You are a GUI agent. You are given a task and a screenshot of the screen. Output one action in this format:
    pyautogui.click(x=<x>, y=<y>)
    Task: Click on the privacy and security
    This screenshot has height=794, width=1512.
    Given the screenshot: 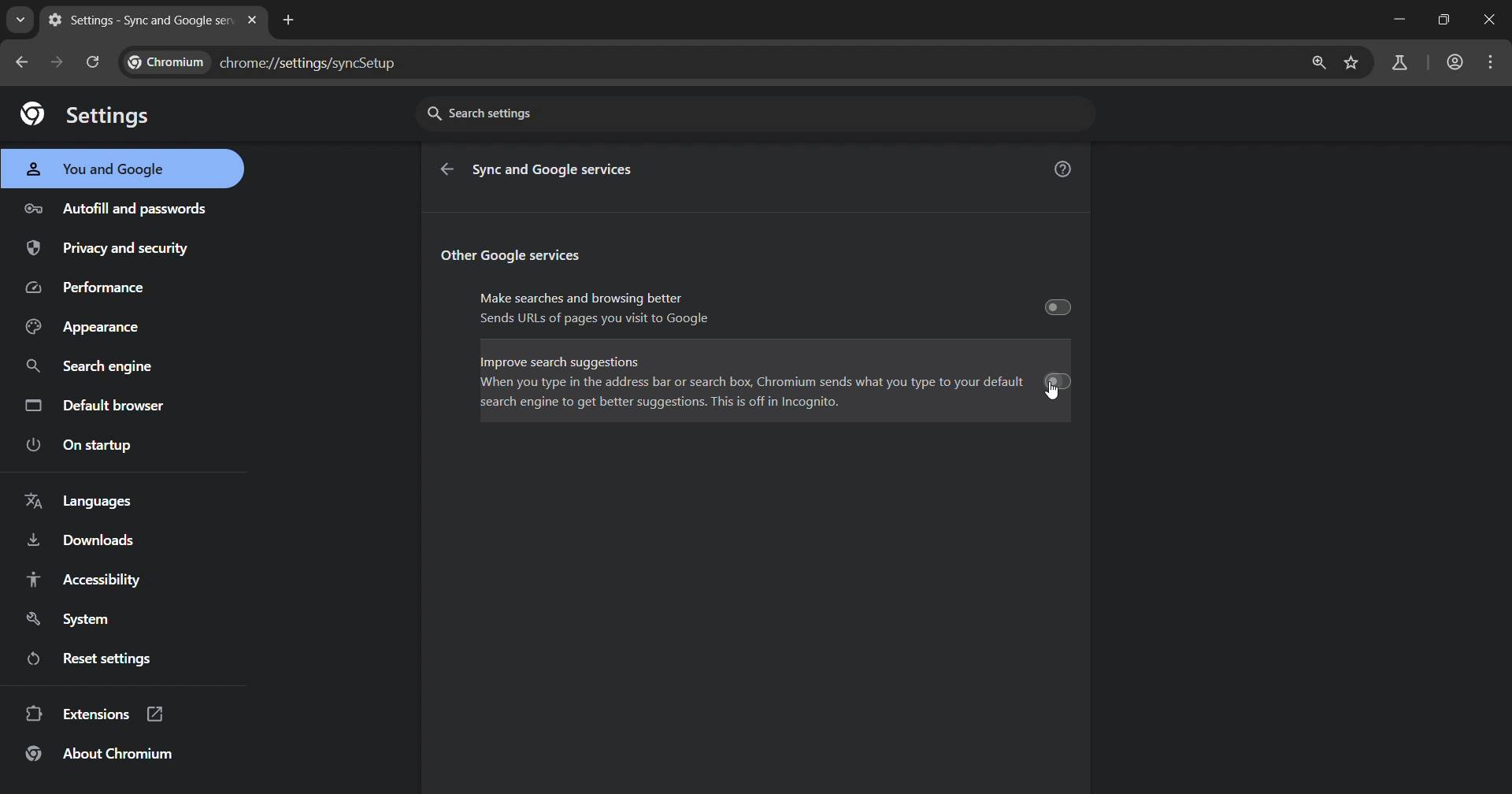 What is the action you would take?
    pyautogui.click(x=105, y=248)
    